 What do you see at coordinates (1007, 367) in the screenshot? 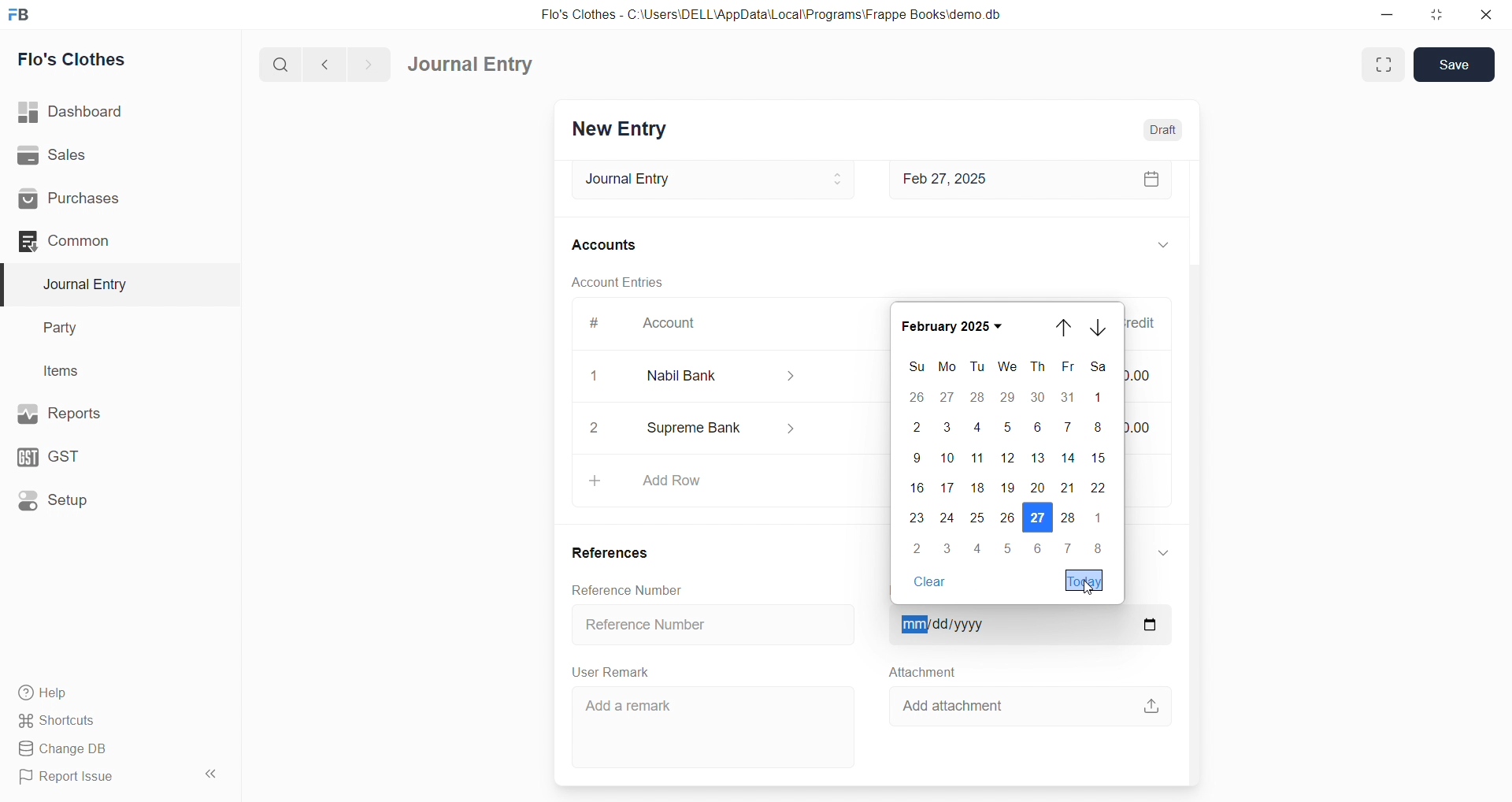
I see `WE` at bounding box center [1007, 367].